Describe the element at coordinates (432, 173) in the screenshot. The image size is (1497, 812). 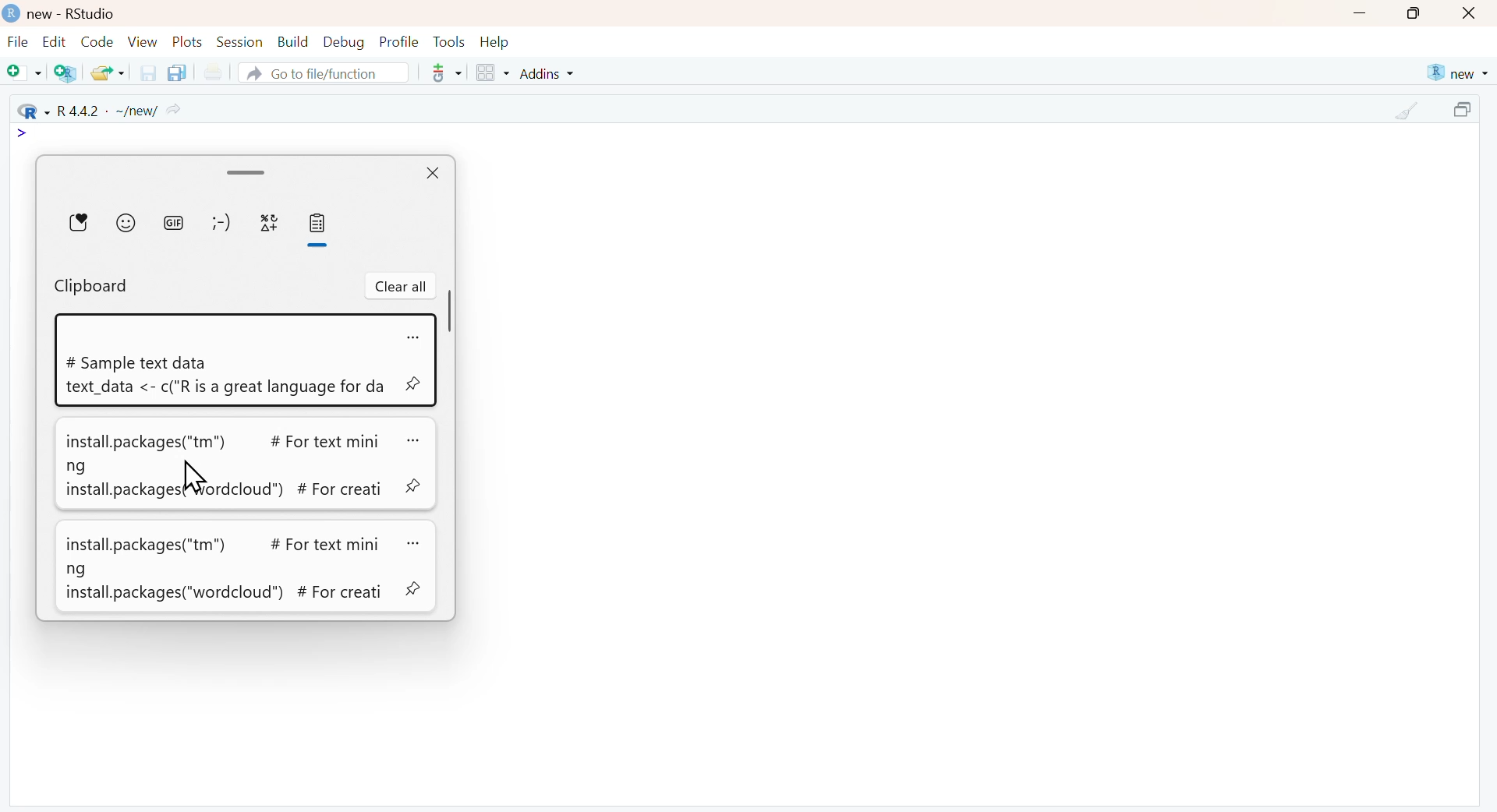
I see `close` at that location.